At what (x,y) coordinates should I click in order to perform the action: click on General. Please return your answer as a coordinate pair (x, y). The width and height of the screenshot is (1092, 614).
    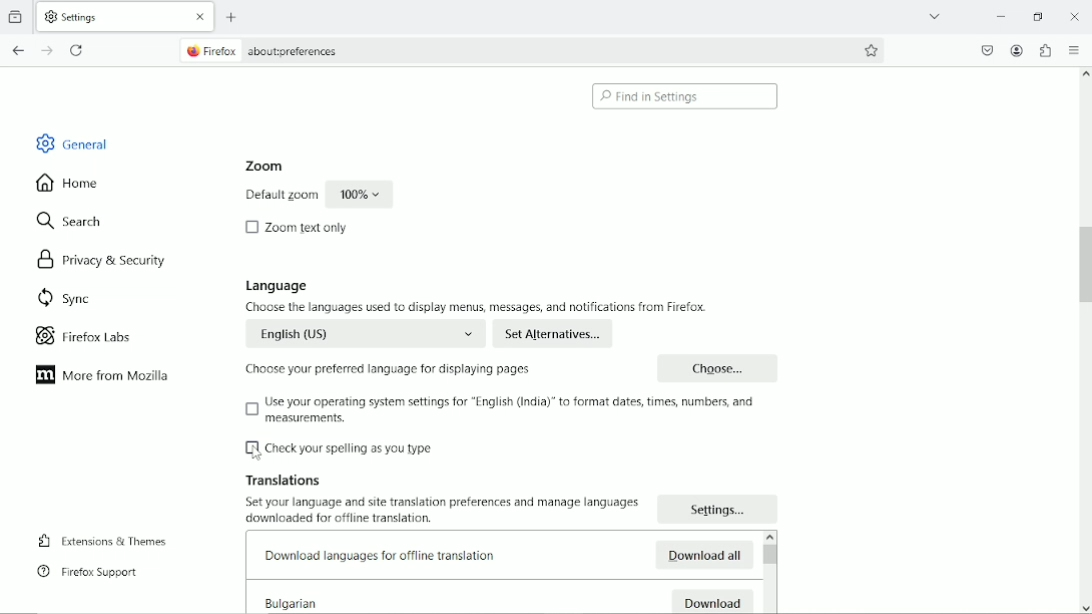
    Looking at the image, I should click on (72, 142).